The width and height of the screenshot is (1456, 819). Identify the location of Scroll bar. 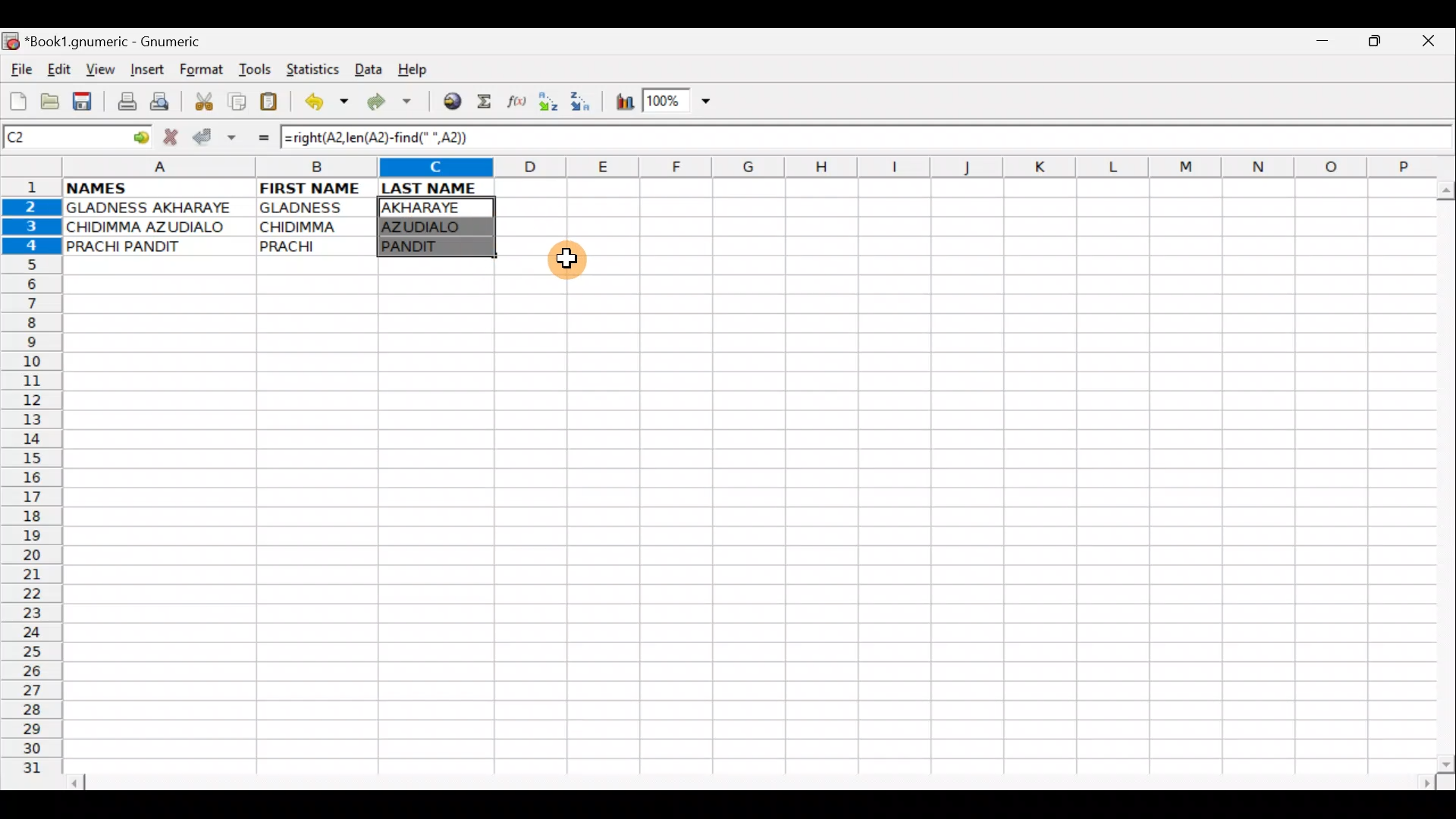
(754, 780).